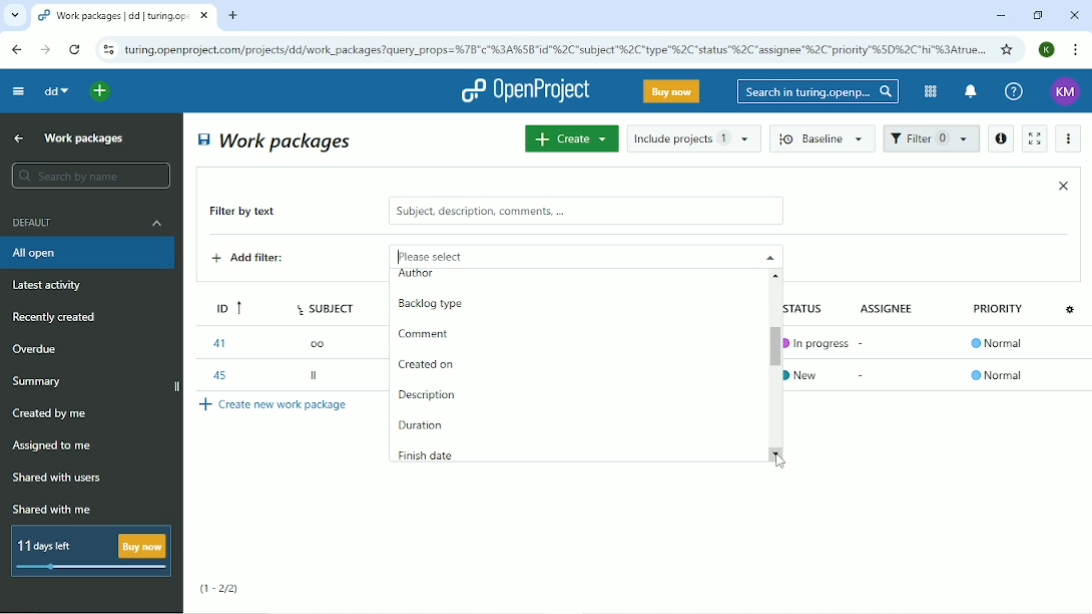  I want to click on close drop down menu, so click(768, 256).